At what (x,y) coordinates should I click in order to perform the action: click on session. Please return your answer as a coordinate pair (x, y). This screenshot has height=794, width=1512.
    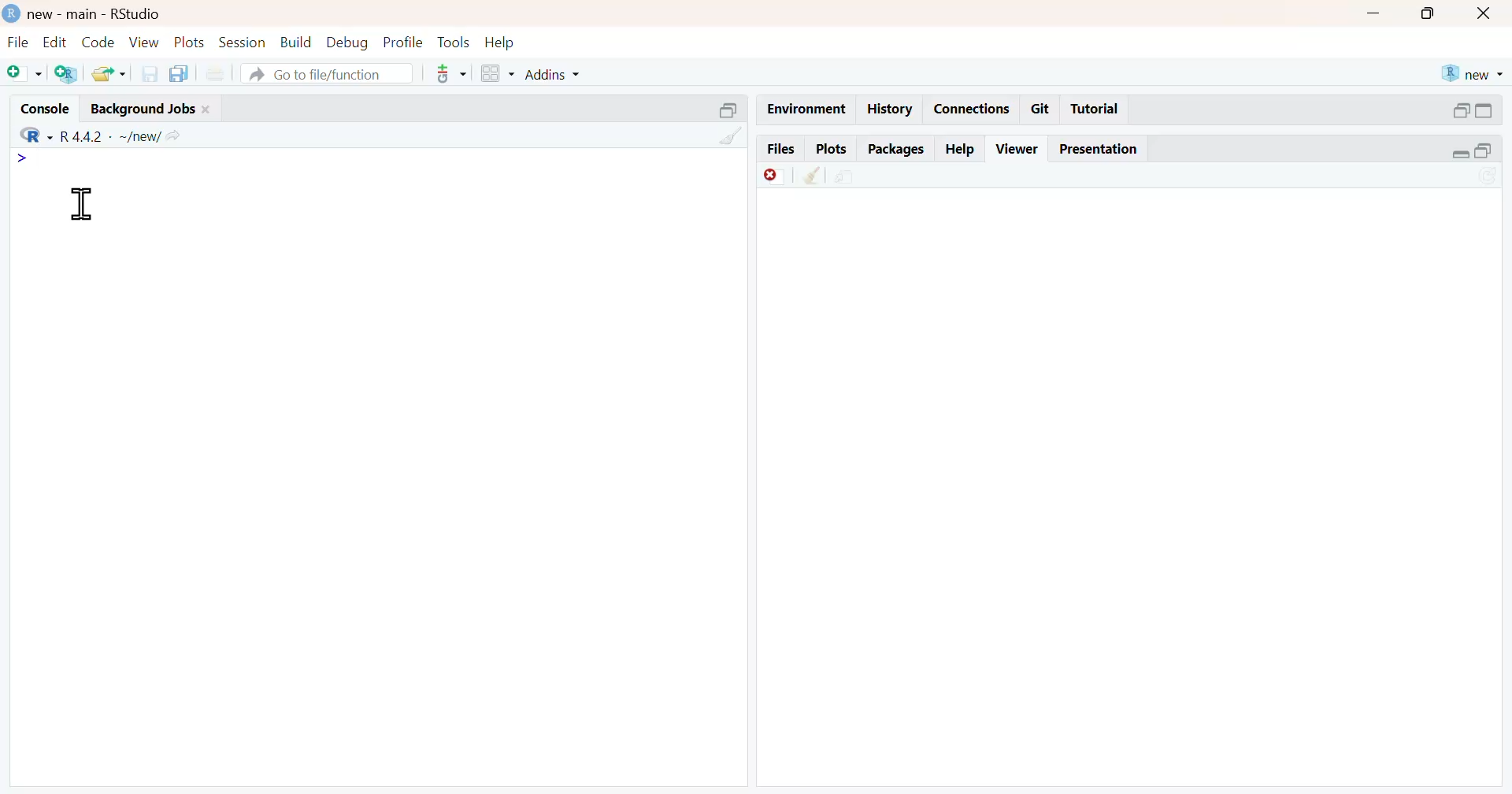
    Looking at the image, I should click on (243, 42).